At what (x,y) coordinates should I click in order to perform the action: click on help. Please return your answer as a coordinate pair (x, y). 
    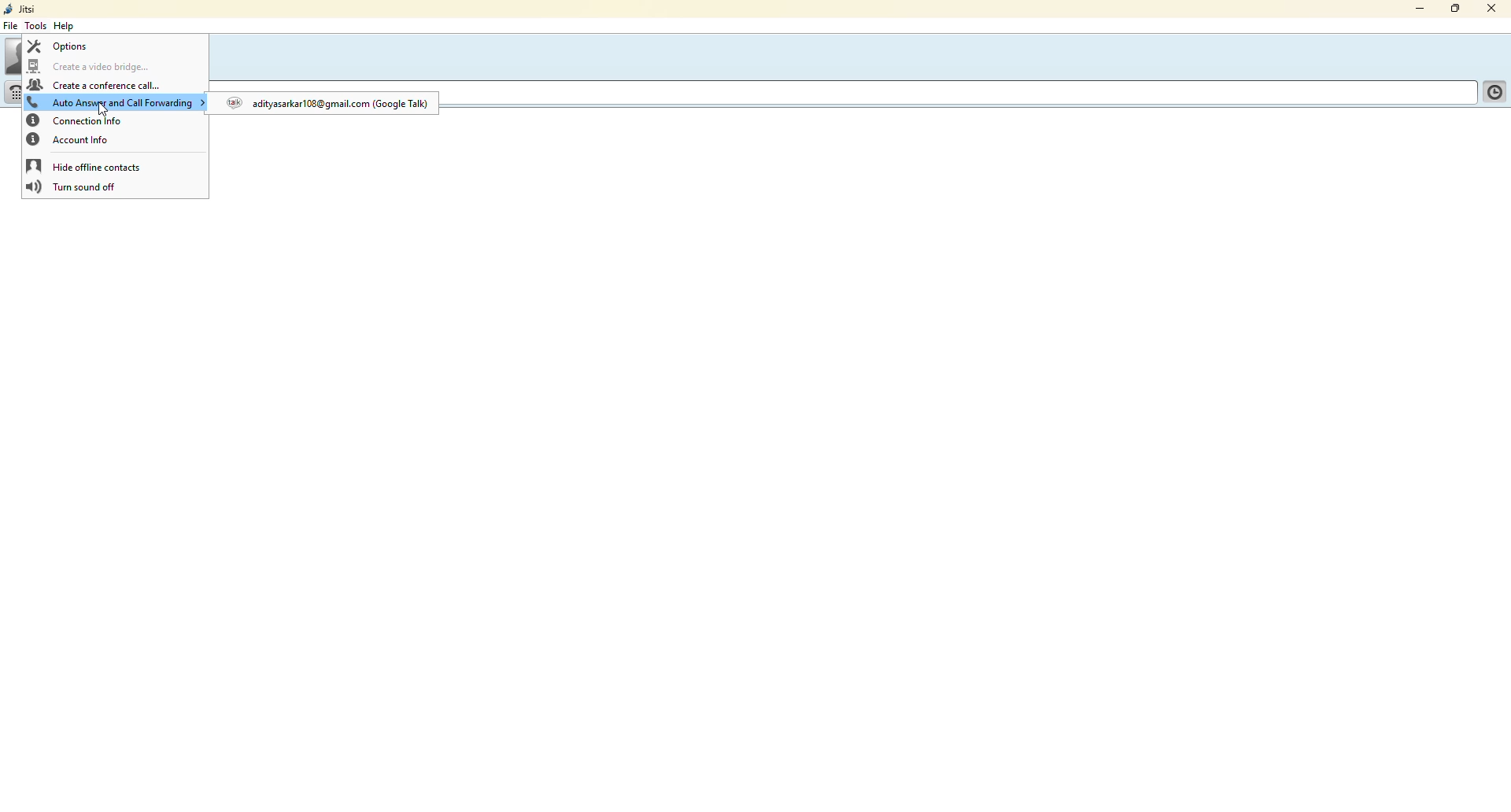
    Looking at the image, I should click on (65, 26).